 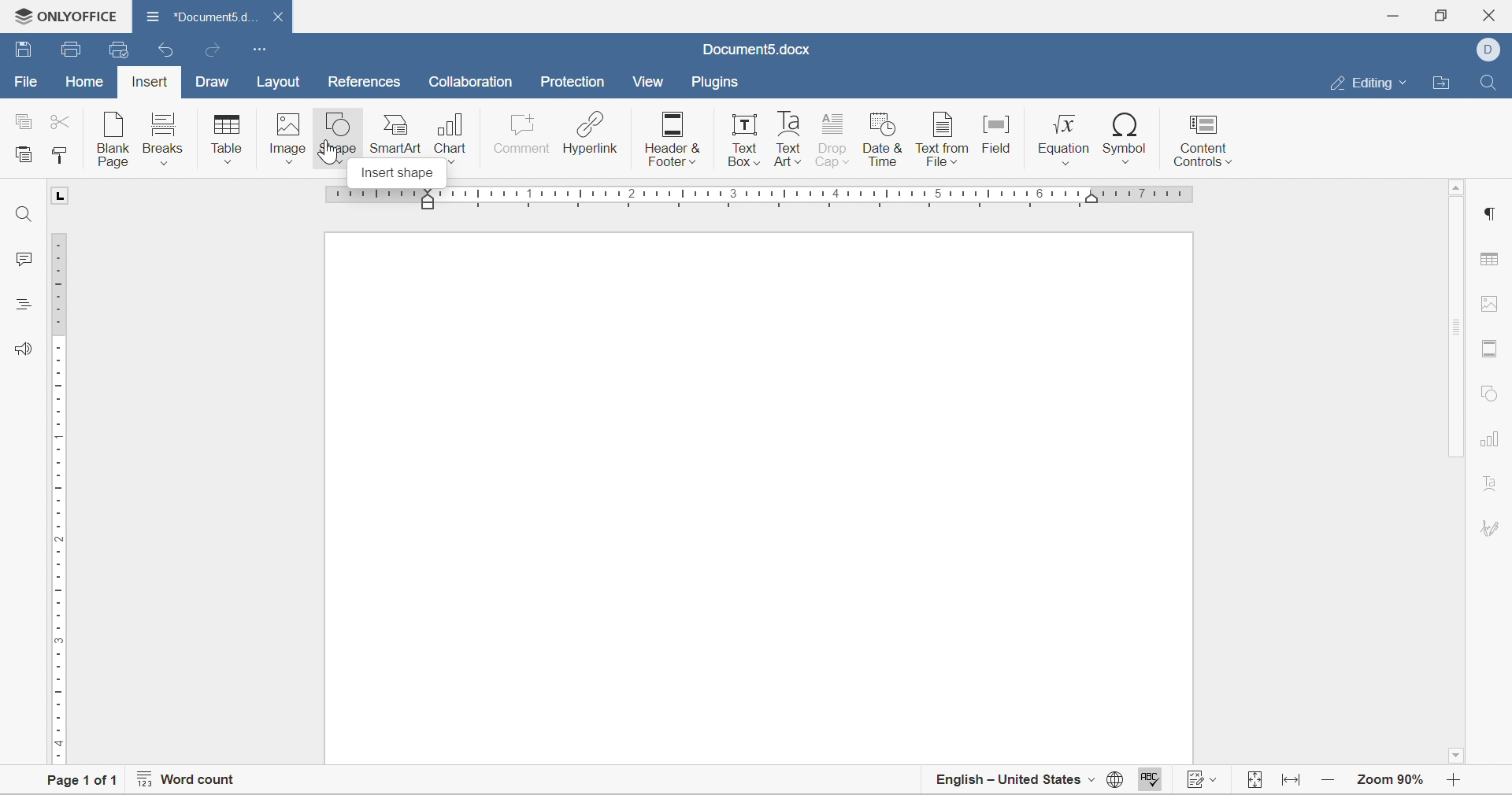 What do you see at coordinates (24, 50) in the screenshot?
I see `save` at bounding box center [24, 50].